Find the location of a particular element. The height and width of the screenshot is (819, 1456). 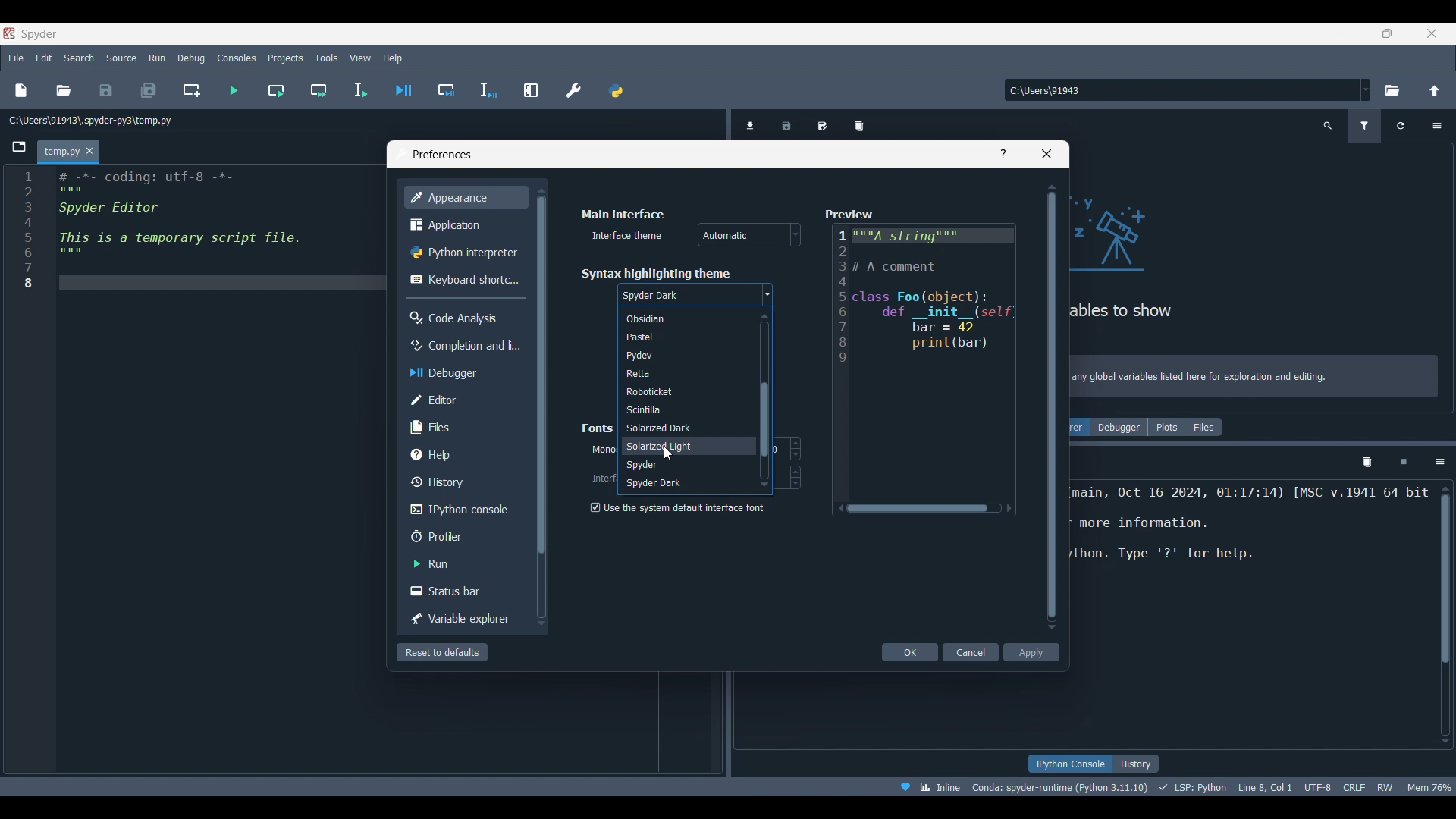

Preferences, highlighted by cursor is located at coordinates (569, 88).